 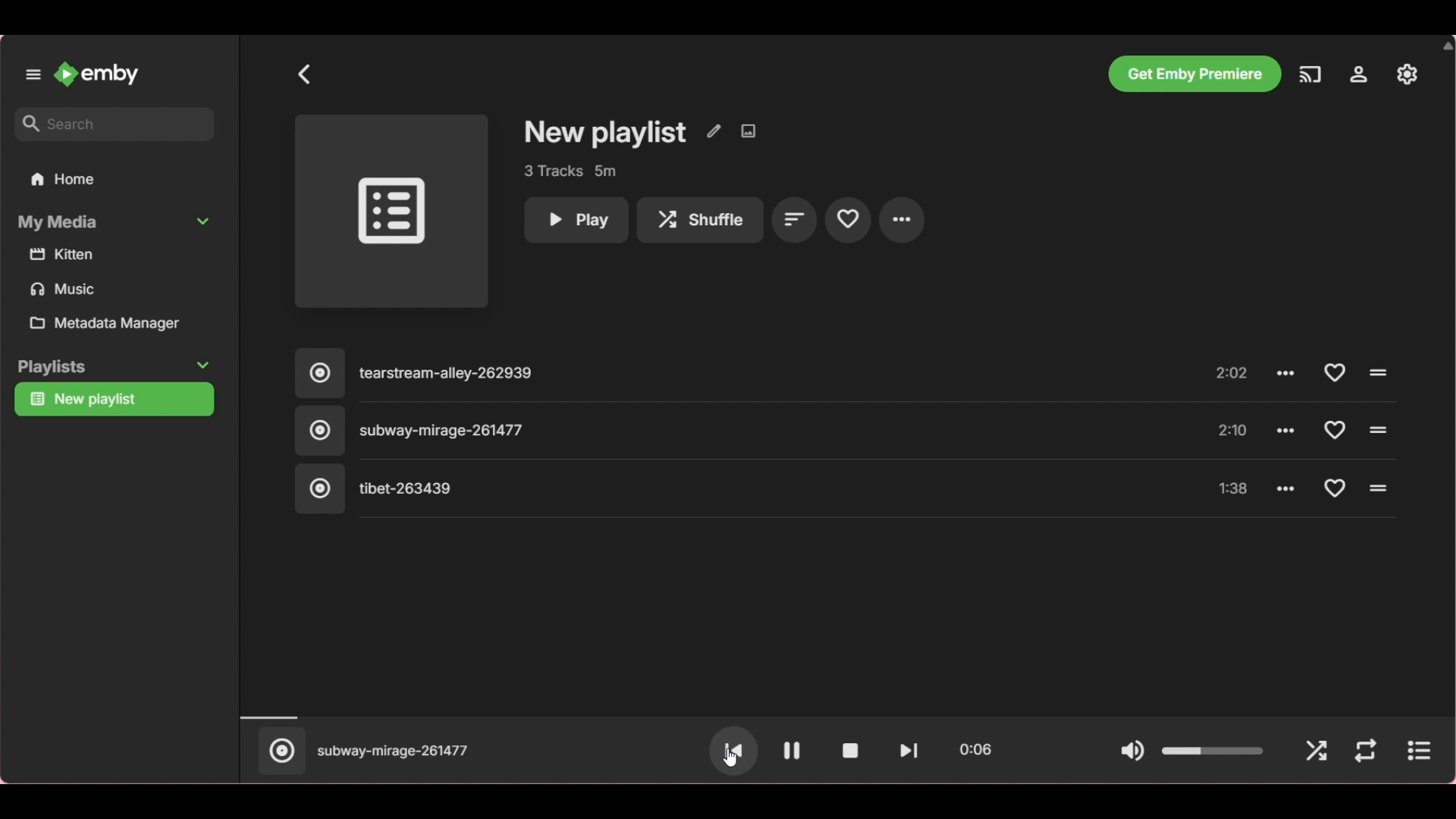 What do you see at coordinates (1379, 488) in the screenshot?
I see `Click to play respective song` at bounding box center [1379, 488].